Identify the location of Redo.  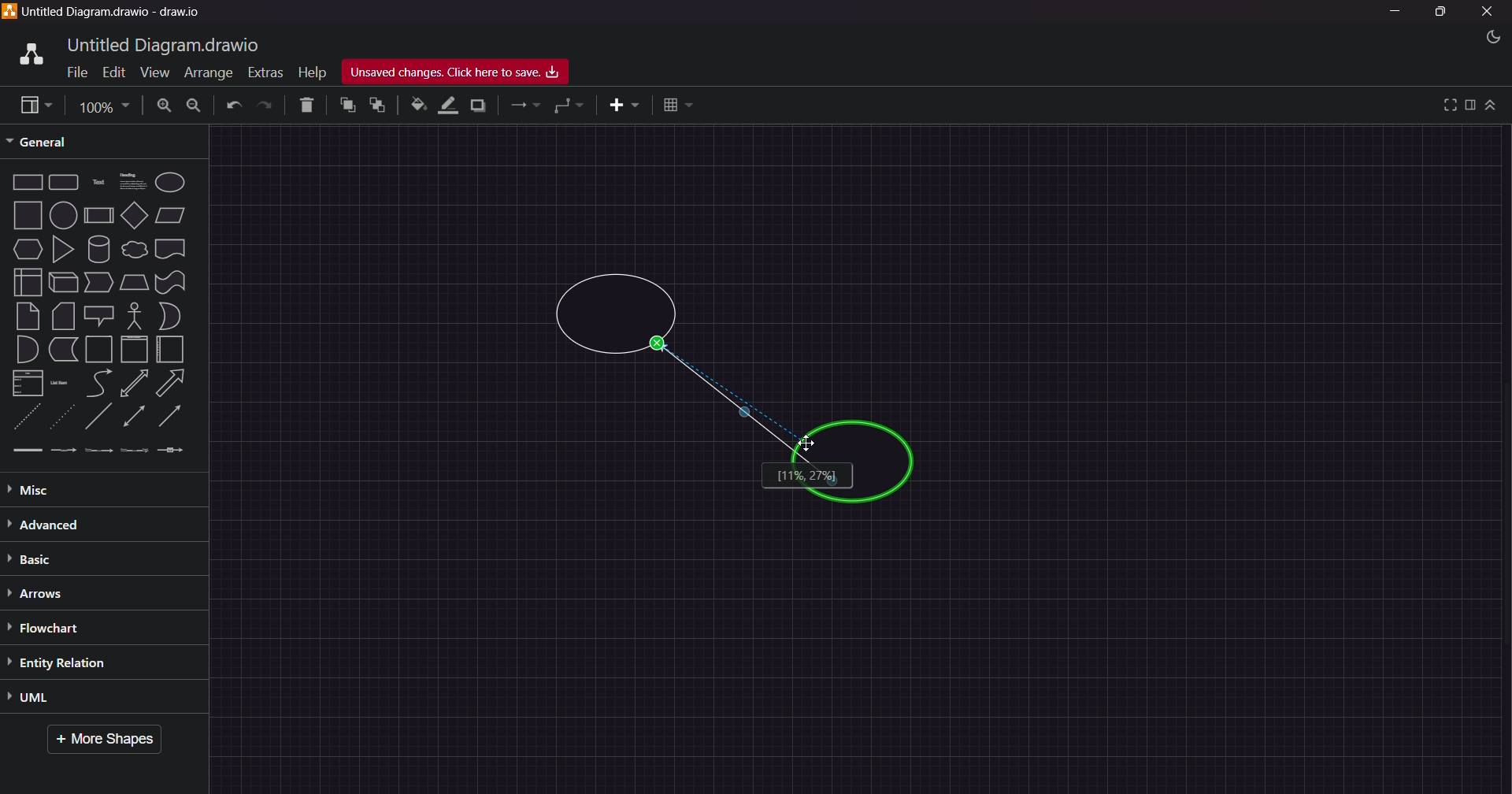
(267, 106).